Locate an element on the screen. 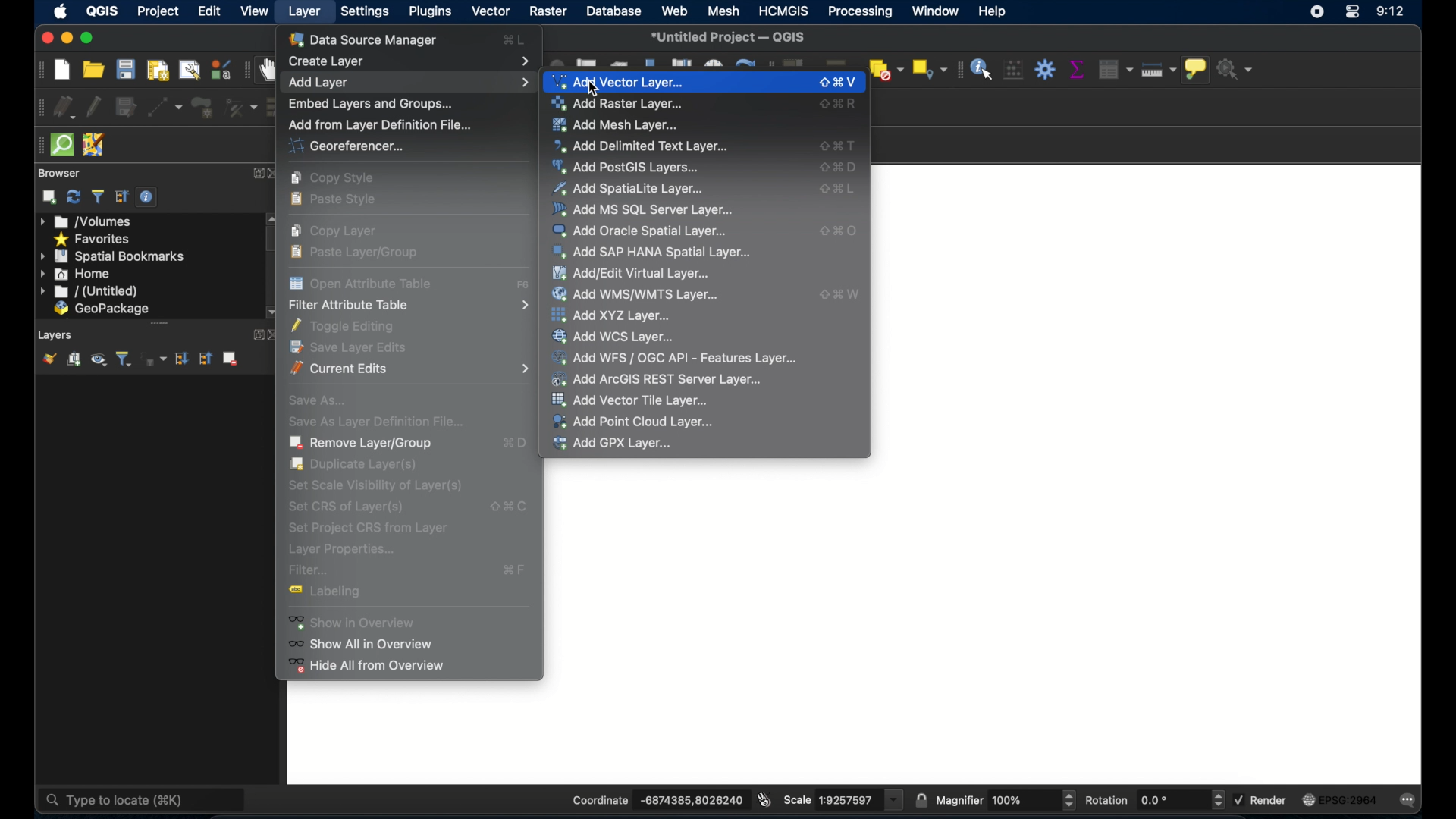 The image size is (1456, 819). magnifier is located at coordinates (1007, 798).